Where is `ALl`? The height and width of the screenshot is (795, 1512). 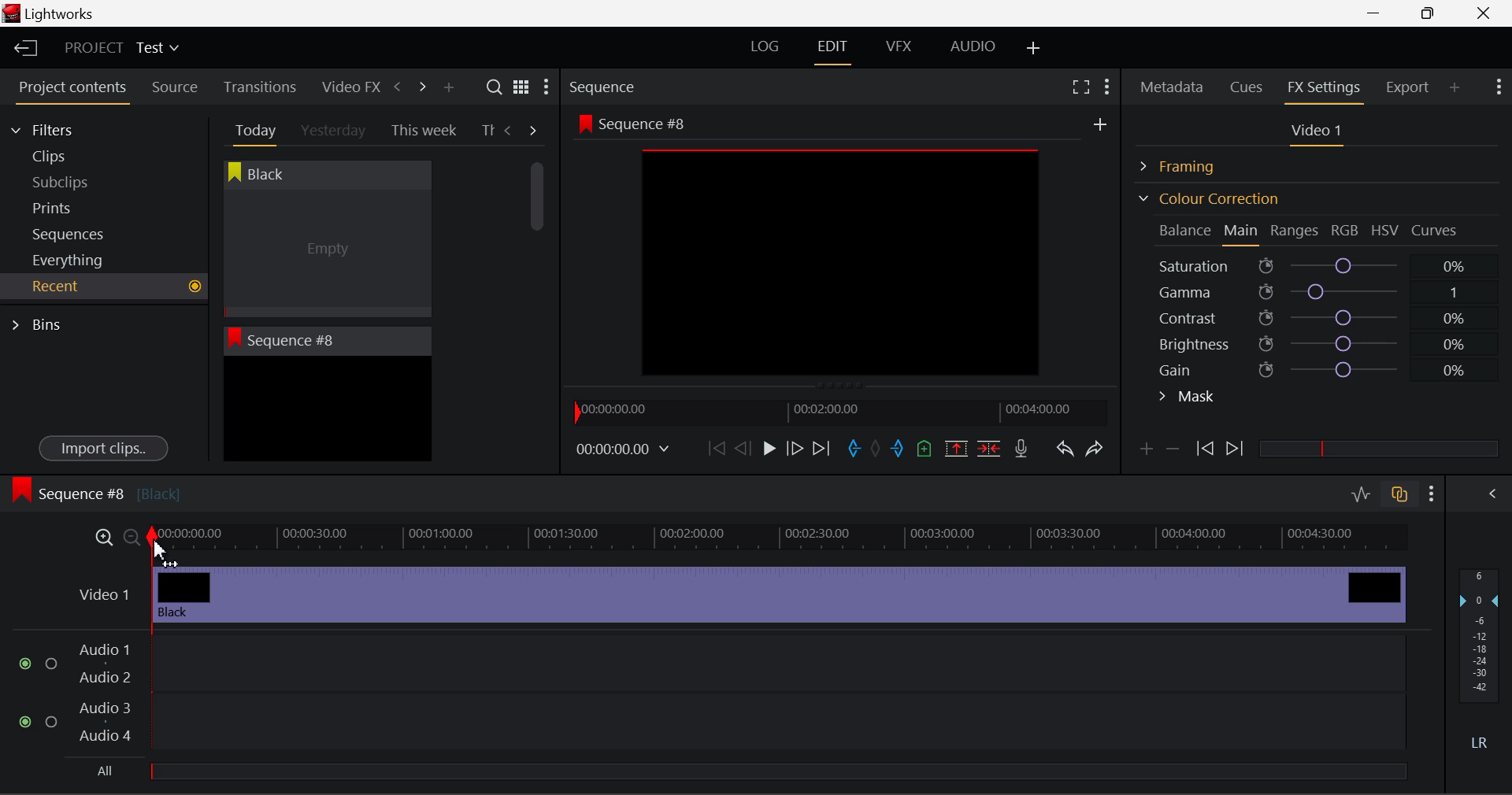
ALl is located at coordinates (104, 771).